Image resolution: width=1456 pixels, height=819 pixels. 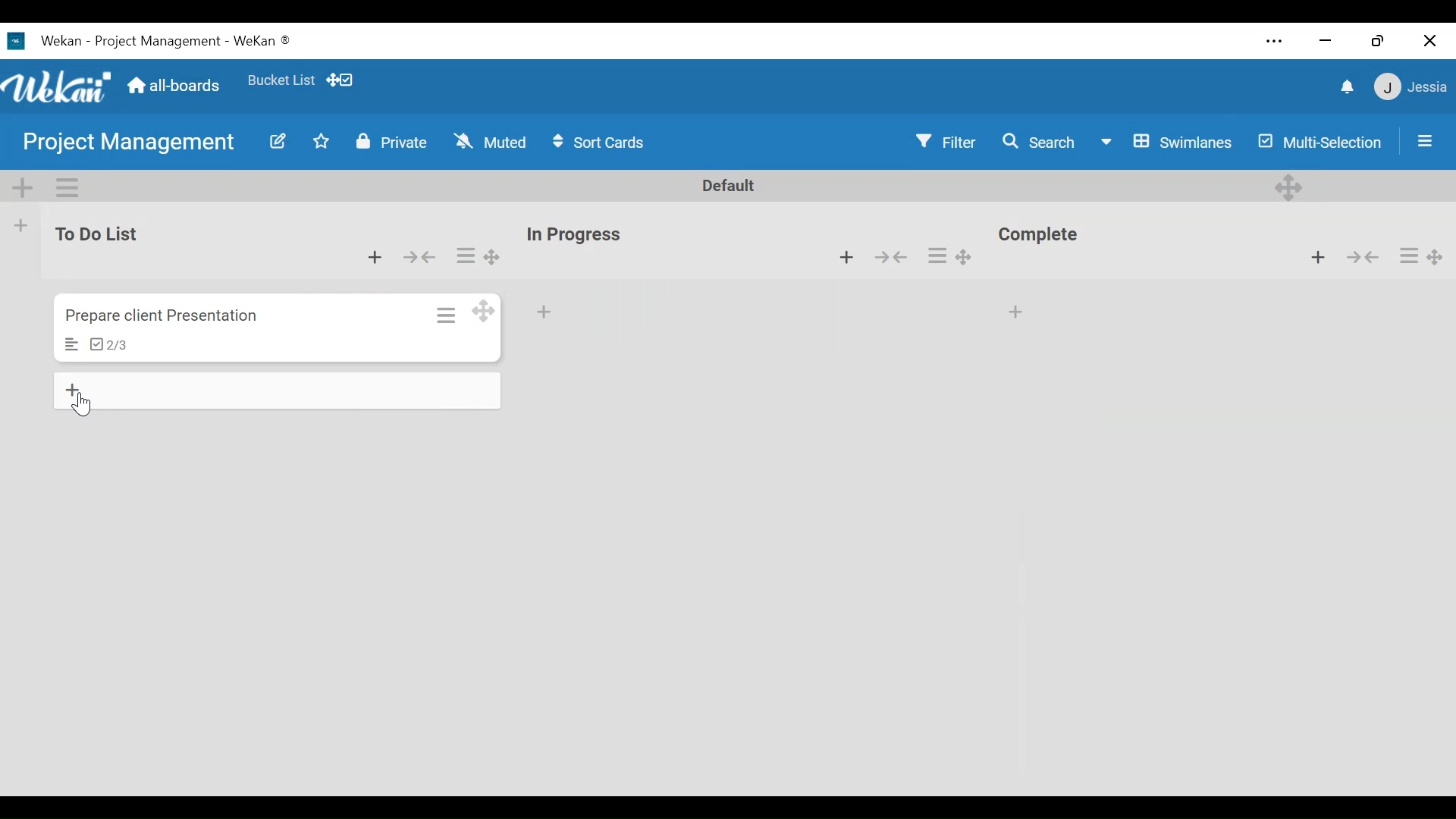 What do you see at coordinates (342, 80) in the screenshot?
I see `Show desktop drag handles` at bounding box center [342, 80].